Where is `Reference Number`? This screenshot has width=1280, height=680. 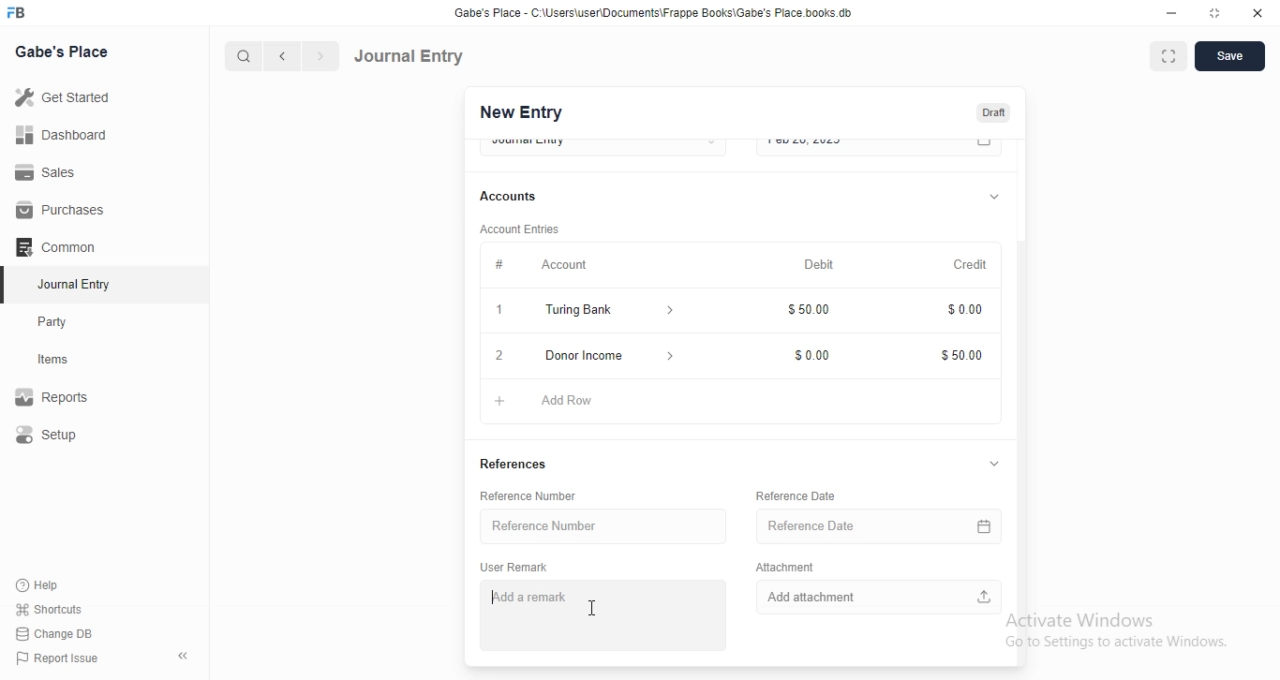
Reference Number is located at coordinates (537, 496).